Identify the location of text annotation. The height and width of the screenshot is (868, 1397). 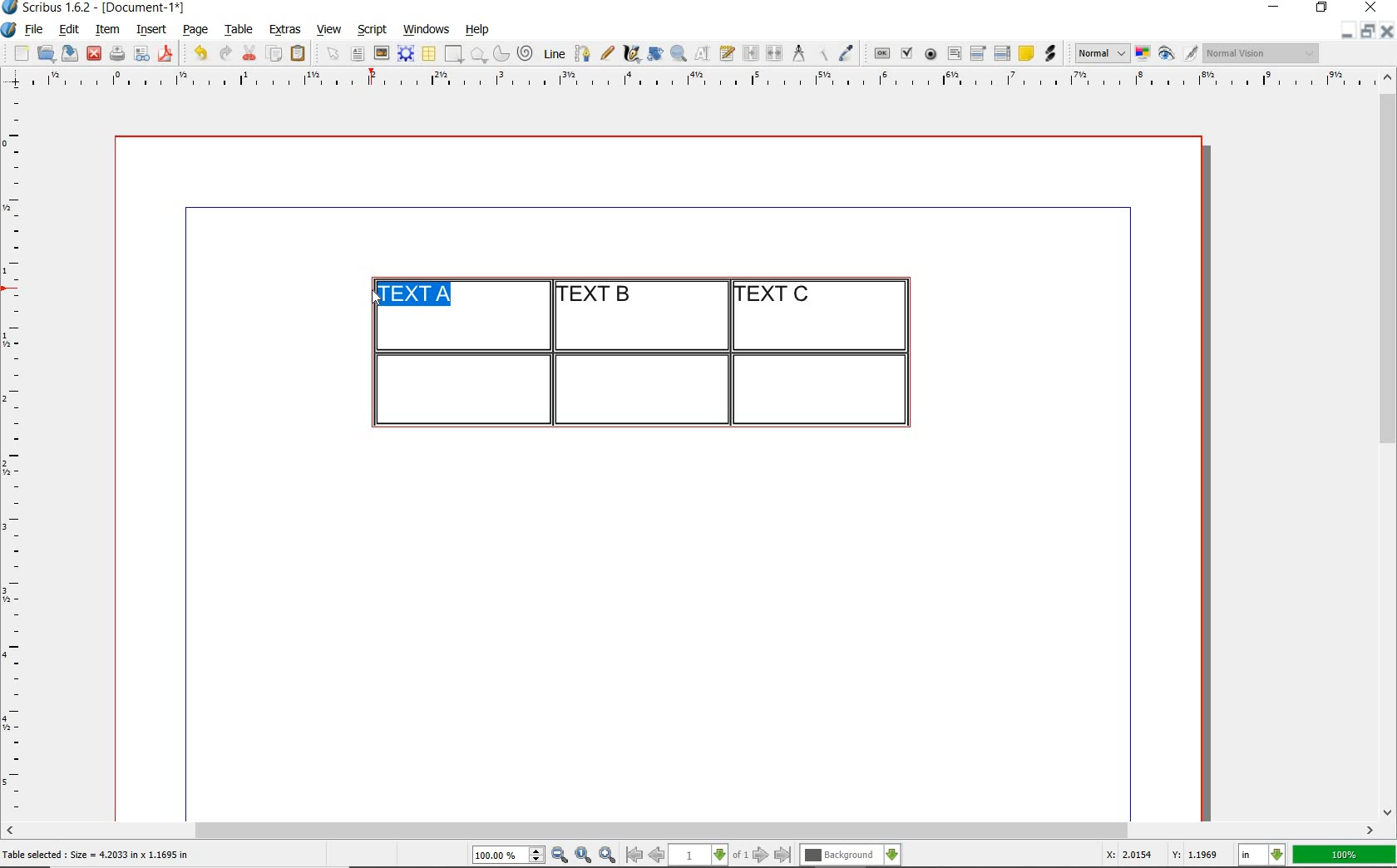
(1025, 54).